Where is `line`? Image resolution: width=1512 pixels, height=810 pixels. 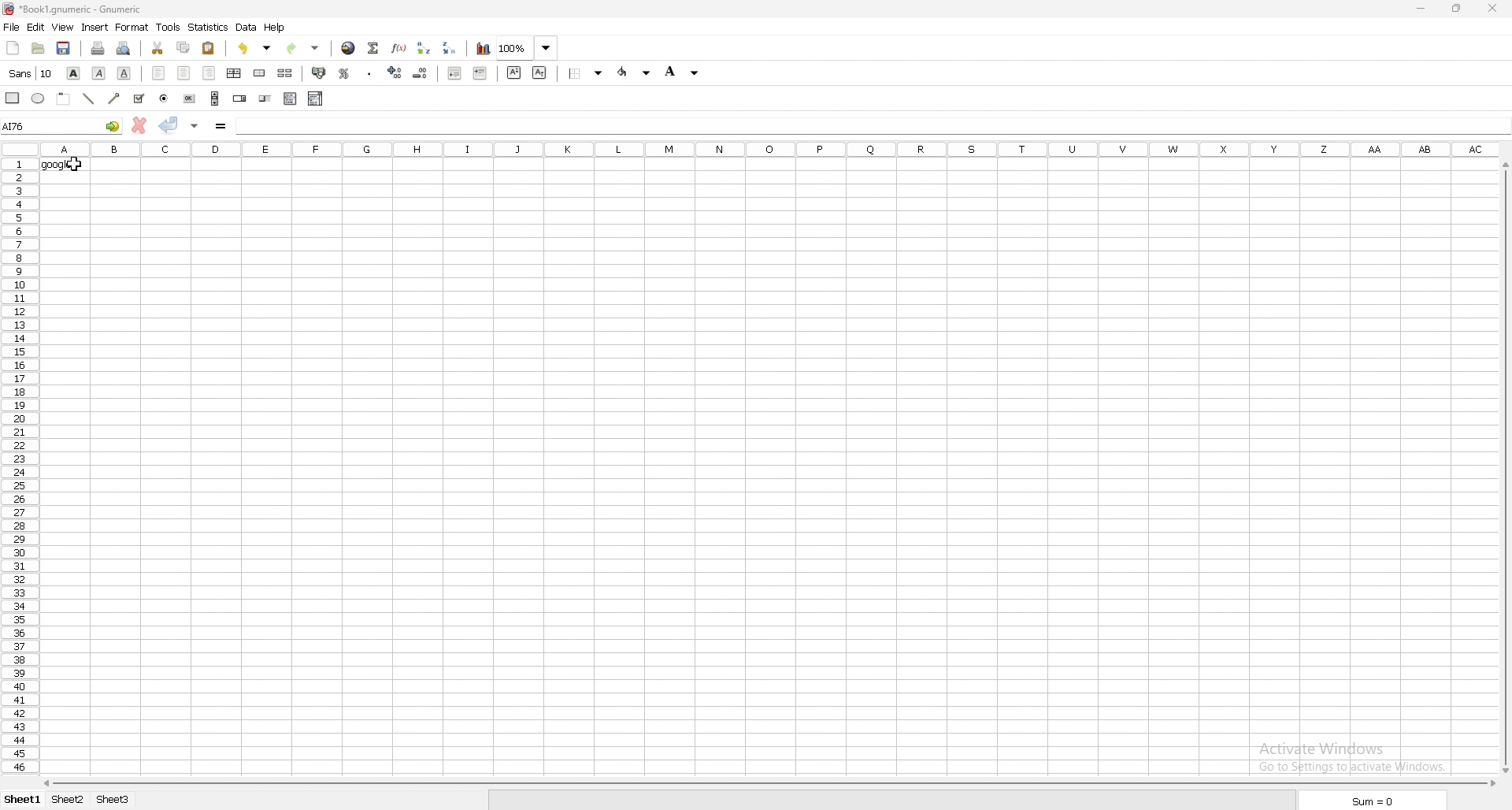
line is located at coordinates (90, 97).